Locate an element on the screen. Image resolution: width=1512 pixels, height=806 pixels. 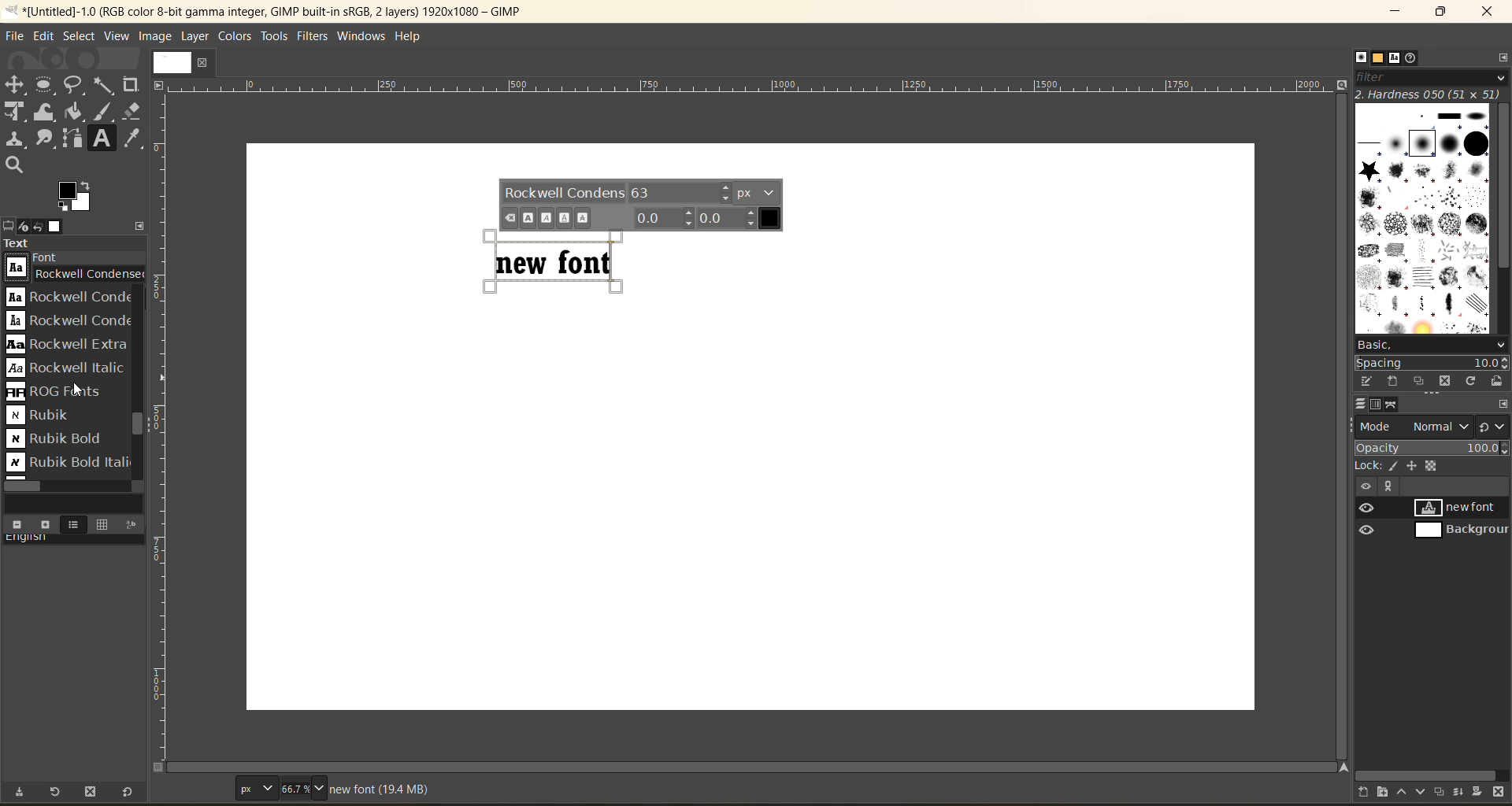
channels is located at coordinates (1380, 405).